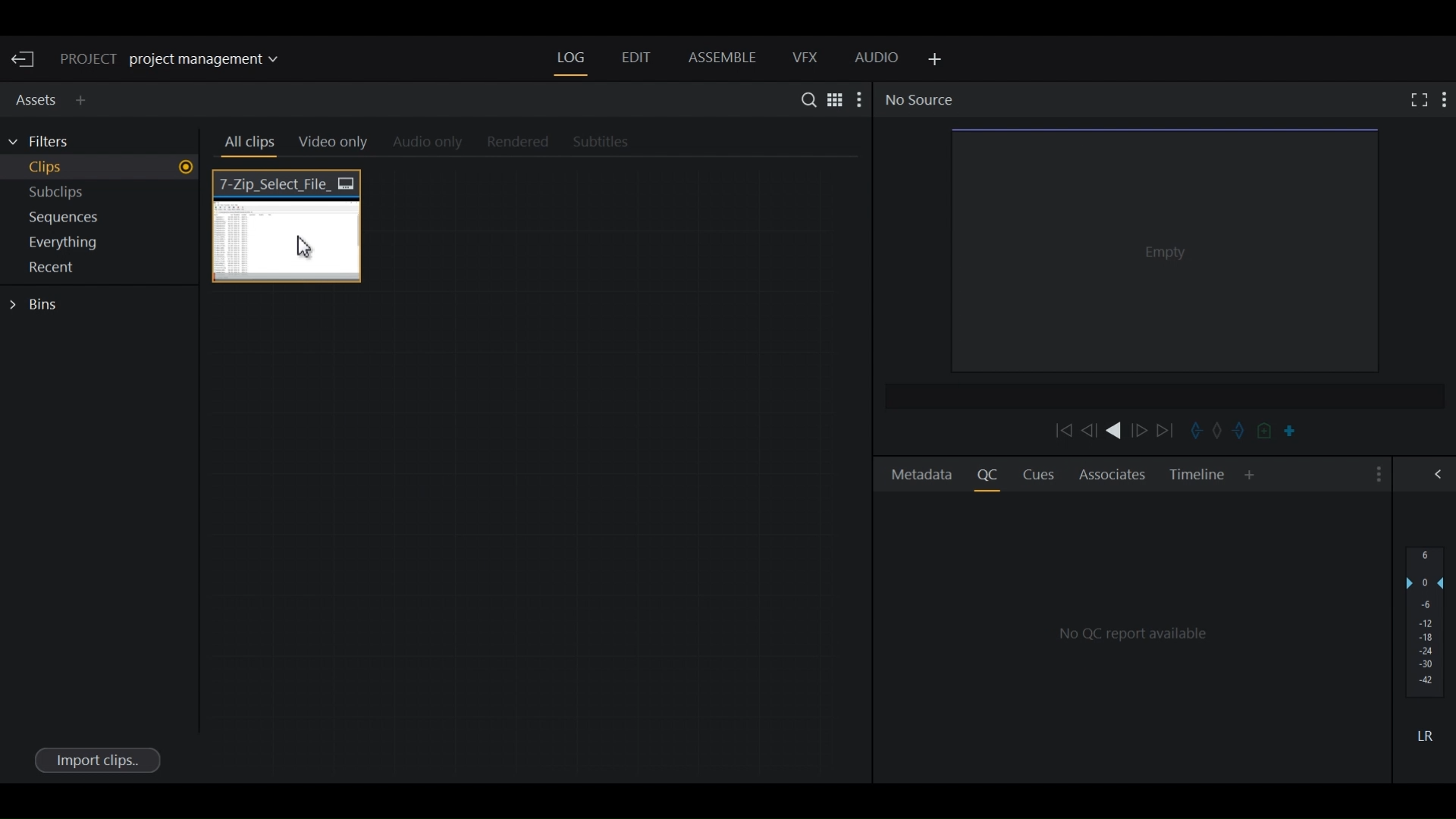 Image resolution: width=1456 pixels, height=819 pixels. I want to click on Show settings menu, so click(1376, 475).